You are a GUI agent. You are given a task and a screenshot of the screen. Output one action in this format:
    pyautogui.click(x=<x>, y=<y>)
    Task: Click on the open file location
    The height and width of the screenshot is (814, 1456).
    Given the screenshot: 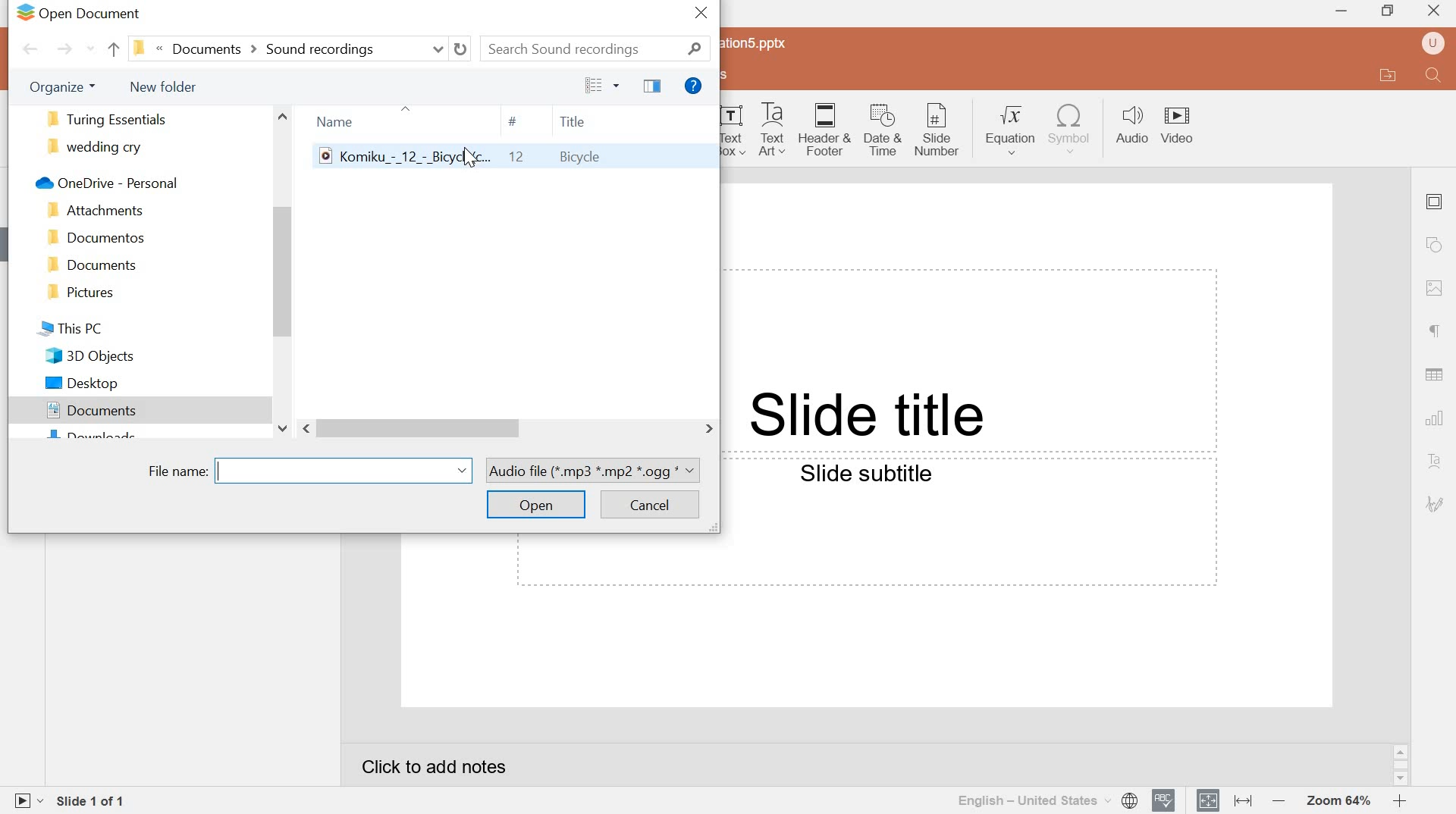 What is the action you would take?
    pyautogui.click(x=1389, y=74)
    